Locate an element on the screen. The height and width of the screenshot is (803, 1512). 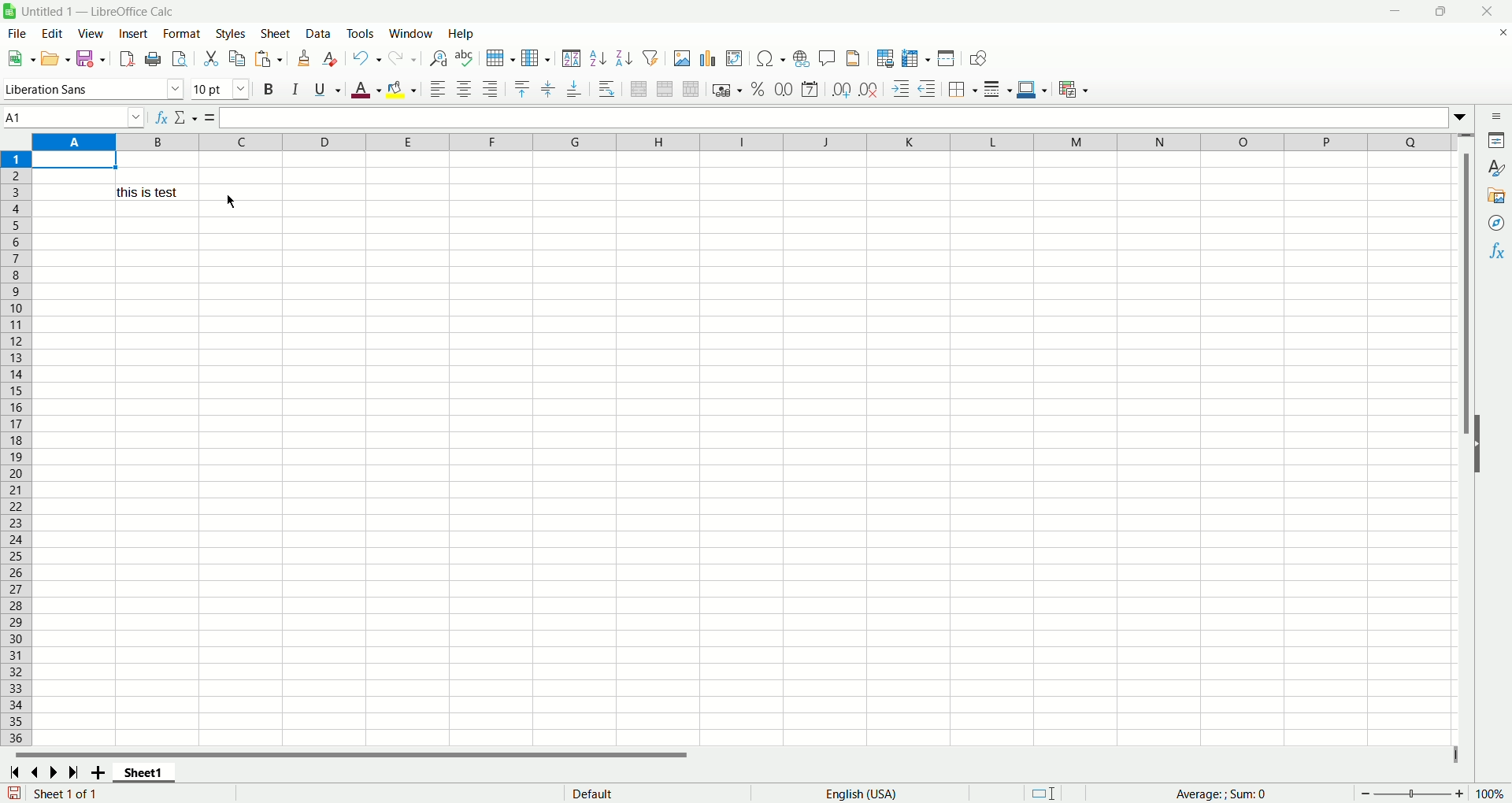
define print area is located at coordinates (884, 58).